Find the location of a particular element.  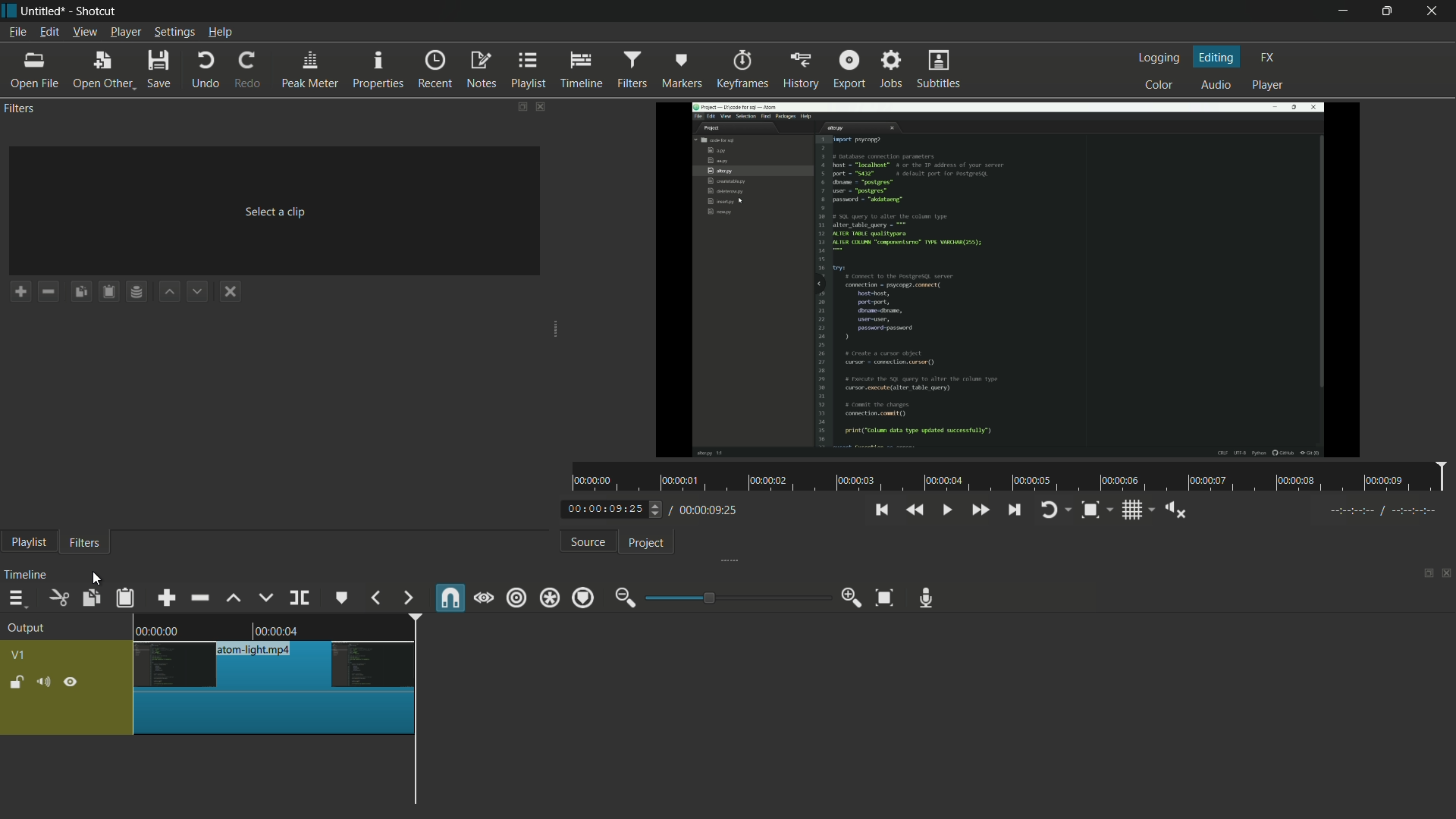

time is located at coordinates (1009, 477).